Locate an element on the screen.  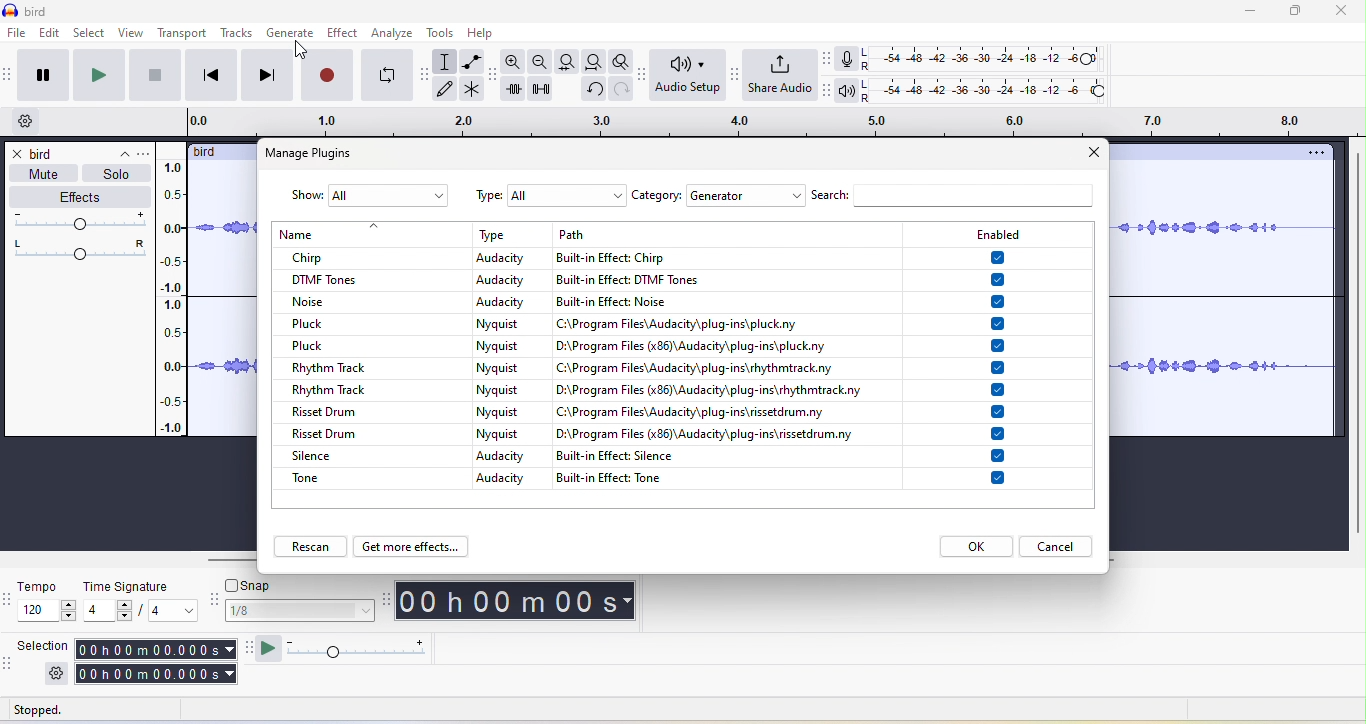
audacity transport toolbar  is located at coordinates (9, 78).